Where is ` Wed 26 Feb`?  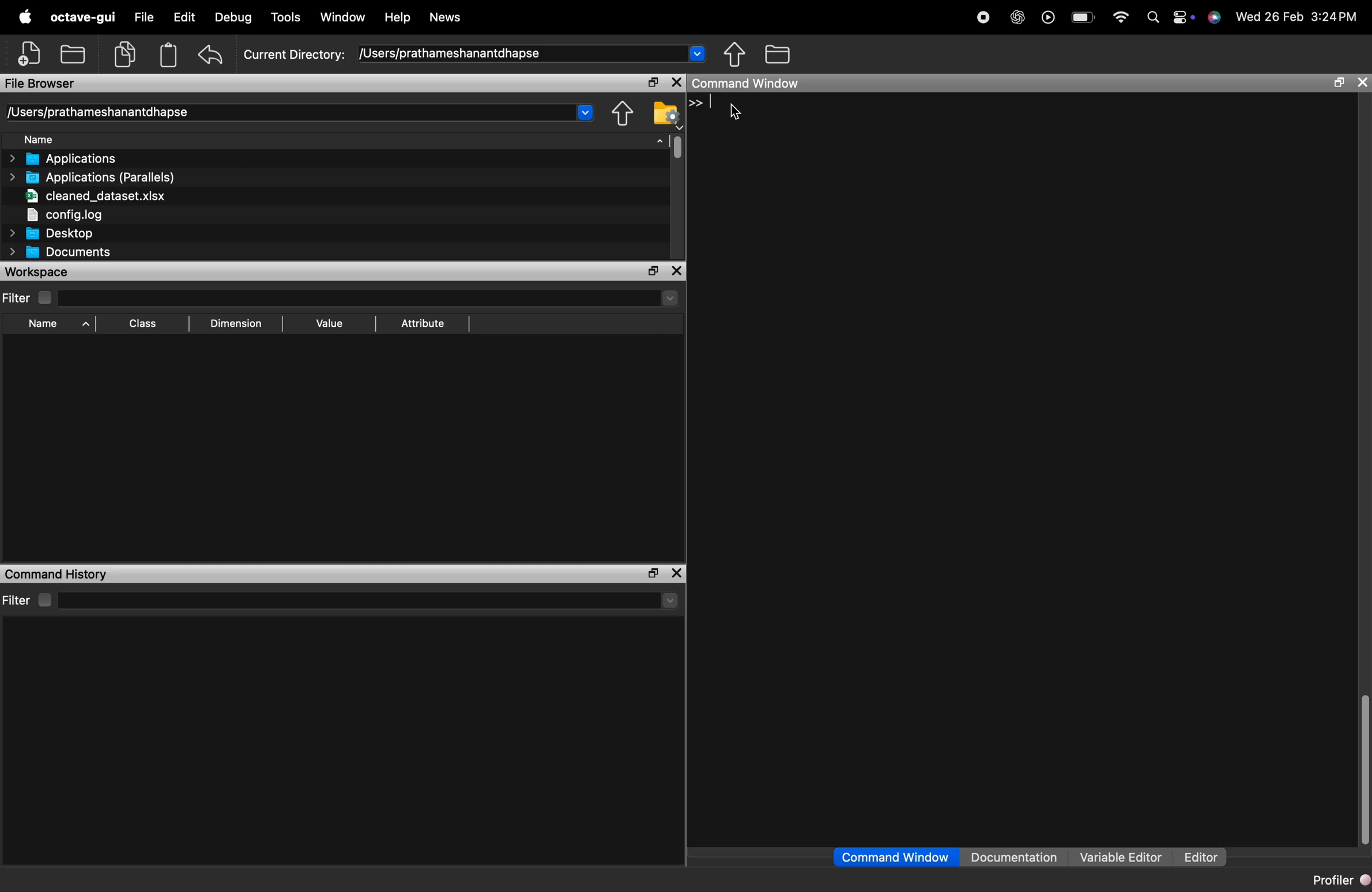
 Wed 26 Feb is located at coordinates (1267, 16).